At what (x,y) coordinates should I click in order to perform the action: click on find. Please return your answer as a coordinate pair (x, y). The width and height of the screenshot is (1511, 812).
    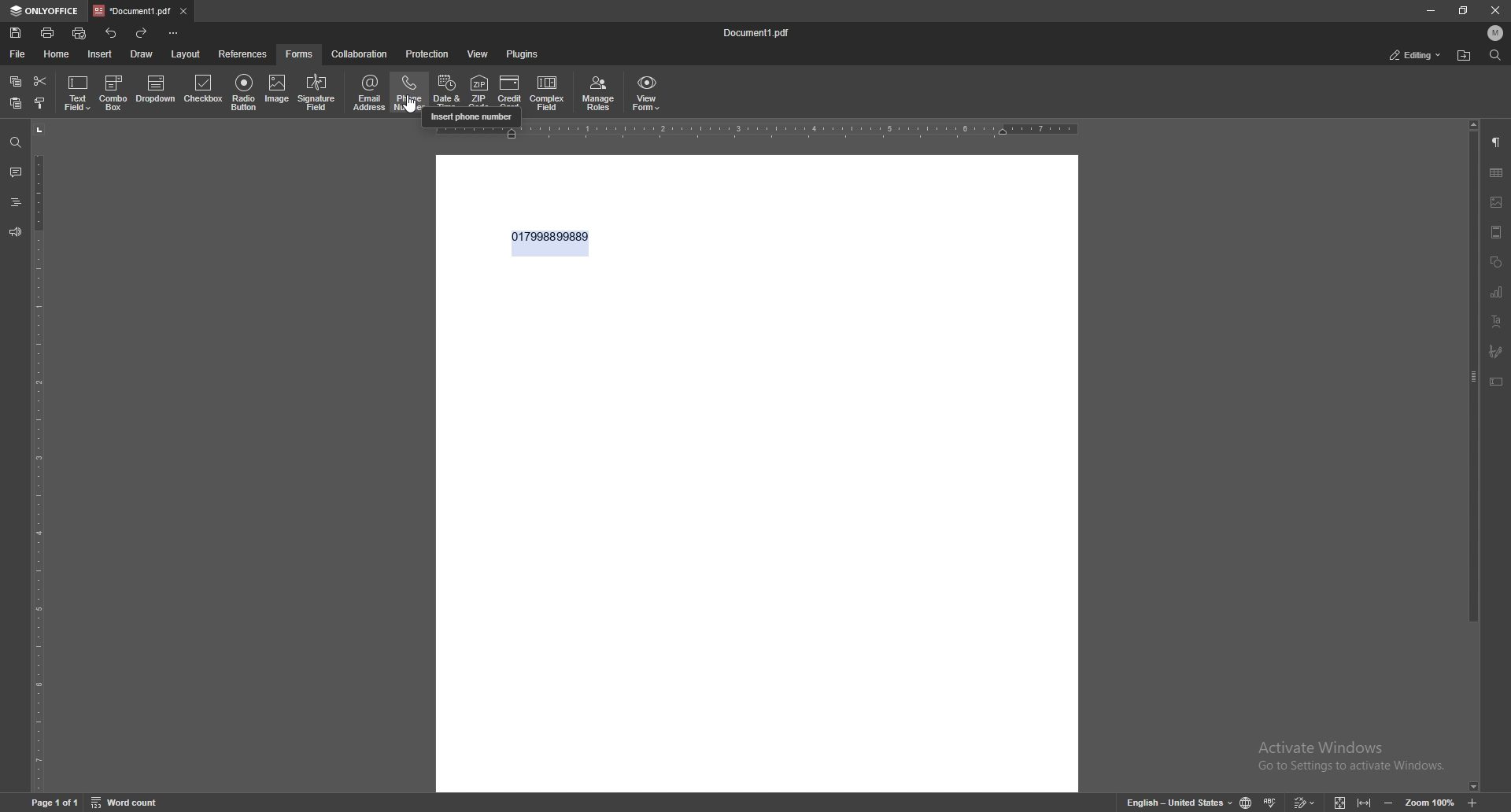
    Looking at the image, I should click on (15, 143).